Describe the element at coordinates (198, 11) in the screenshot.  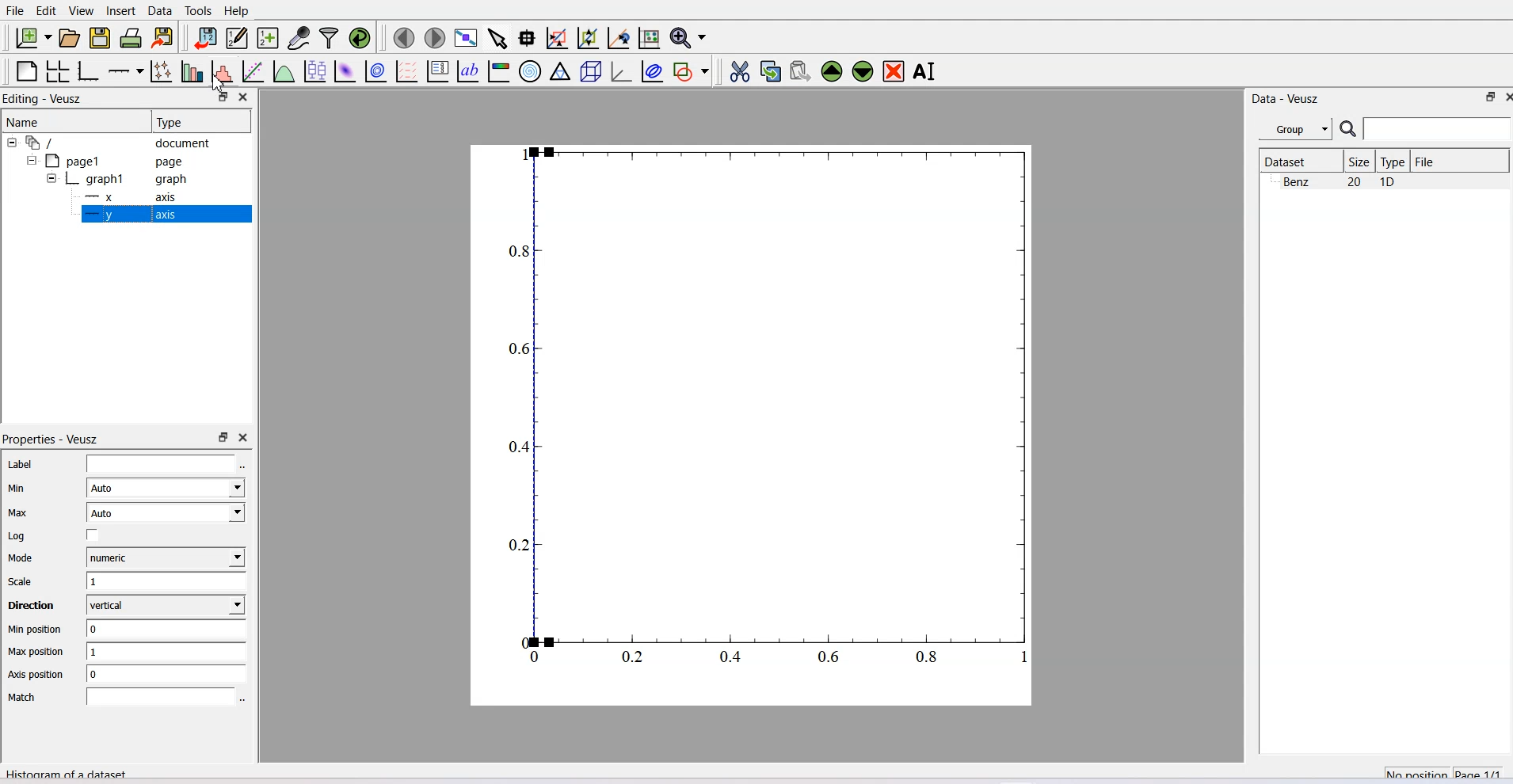
I see `Tools` at that location.